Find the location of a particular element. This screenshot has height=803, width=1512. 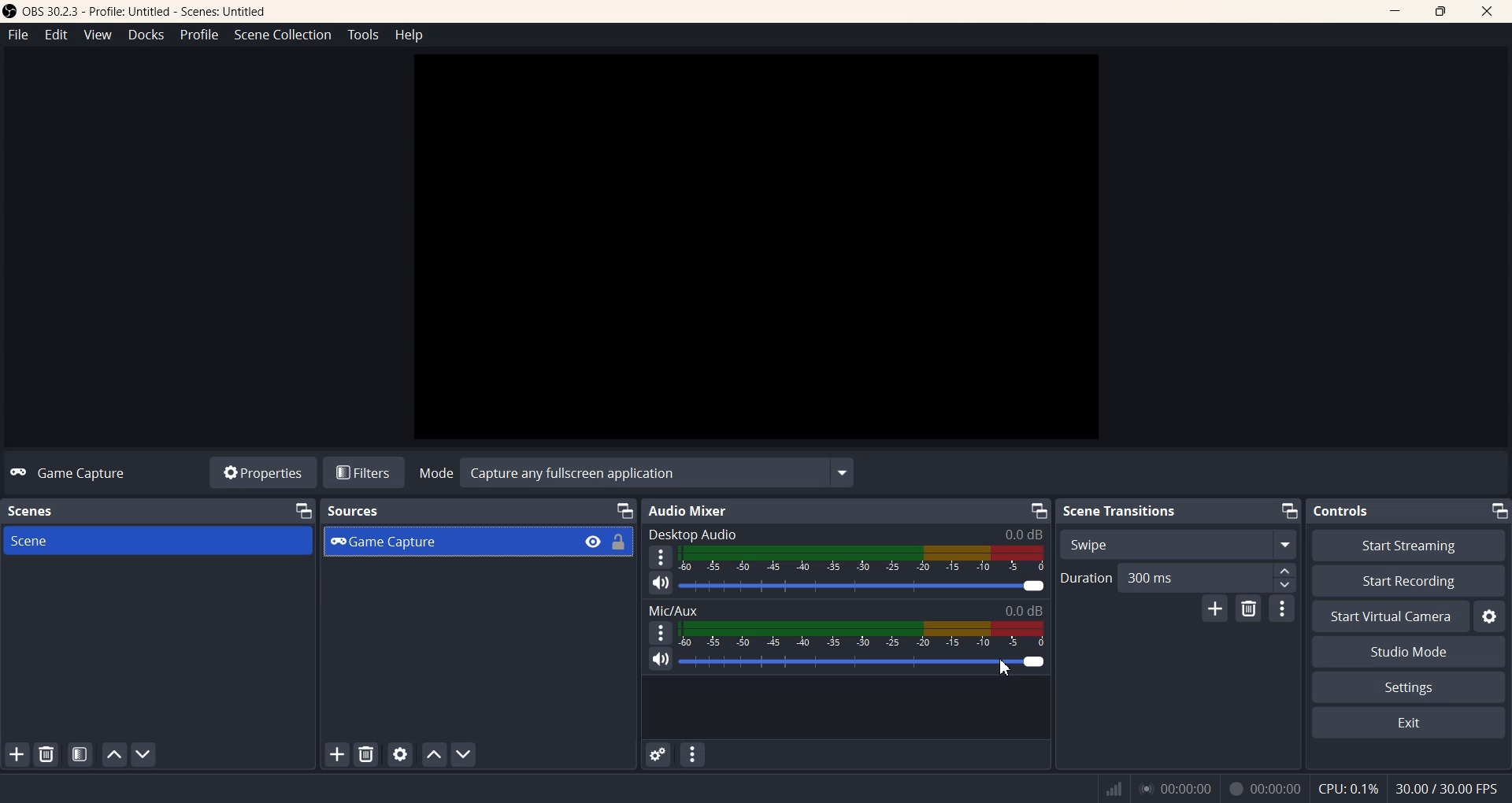

Exit is located at coordinates (1410, 724).